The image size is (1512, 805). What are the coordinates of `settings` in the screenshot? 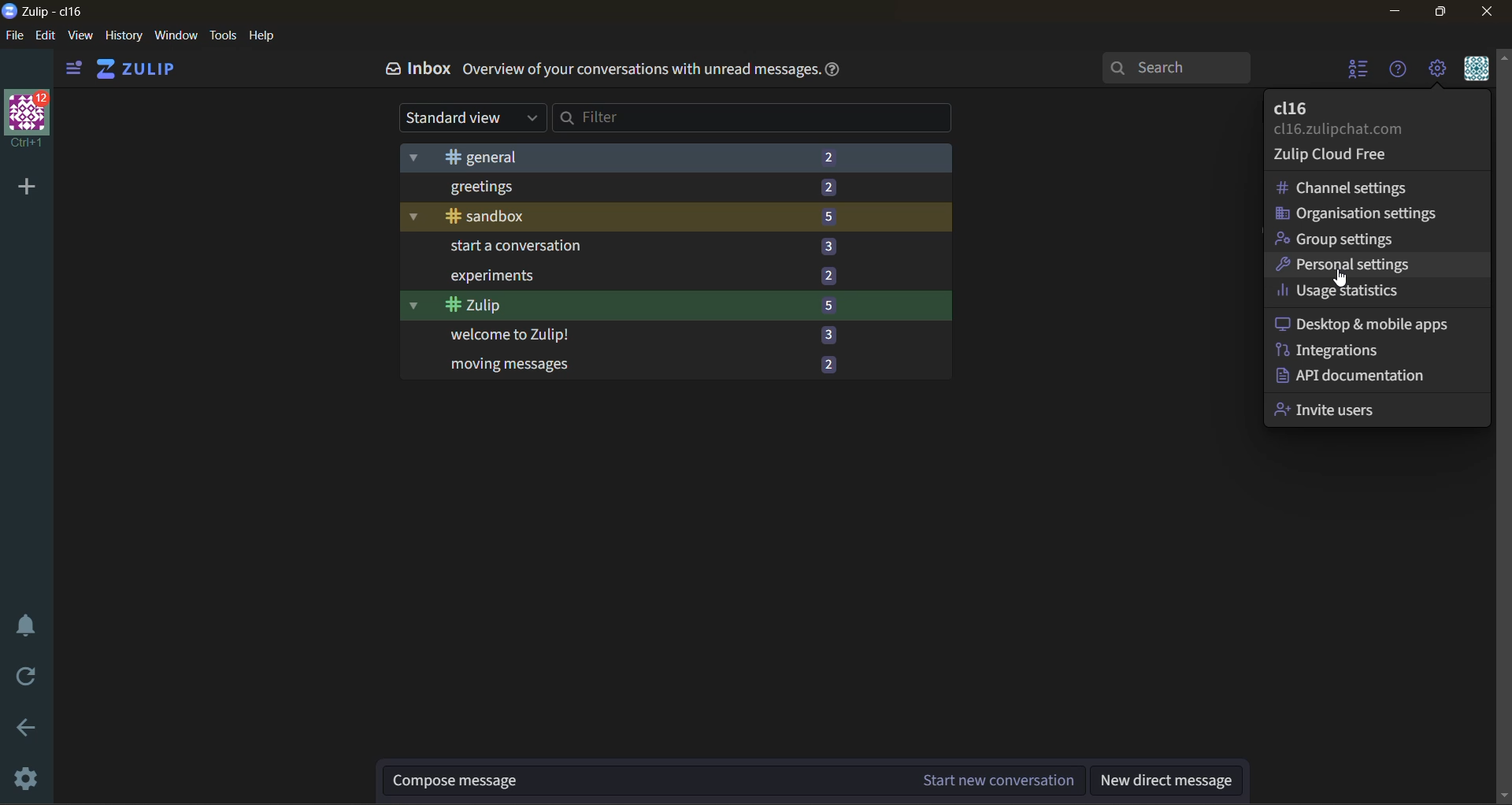 It's located at (28, 776).